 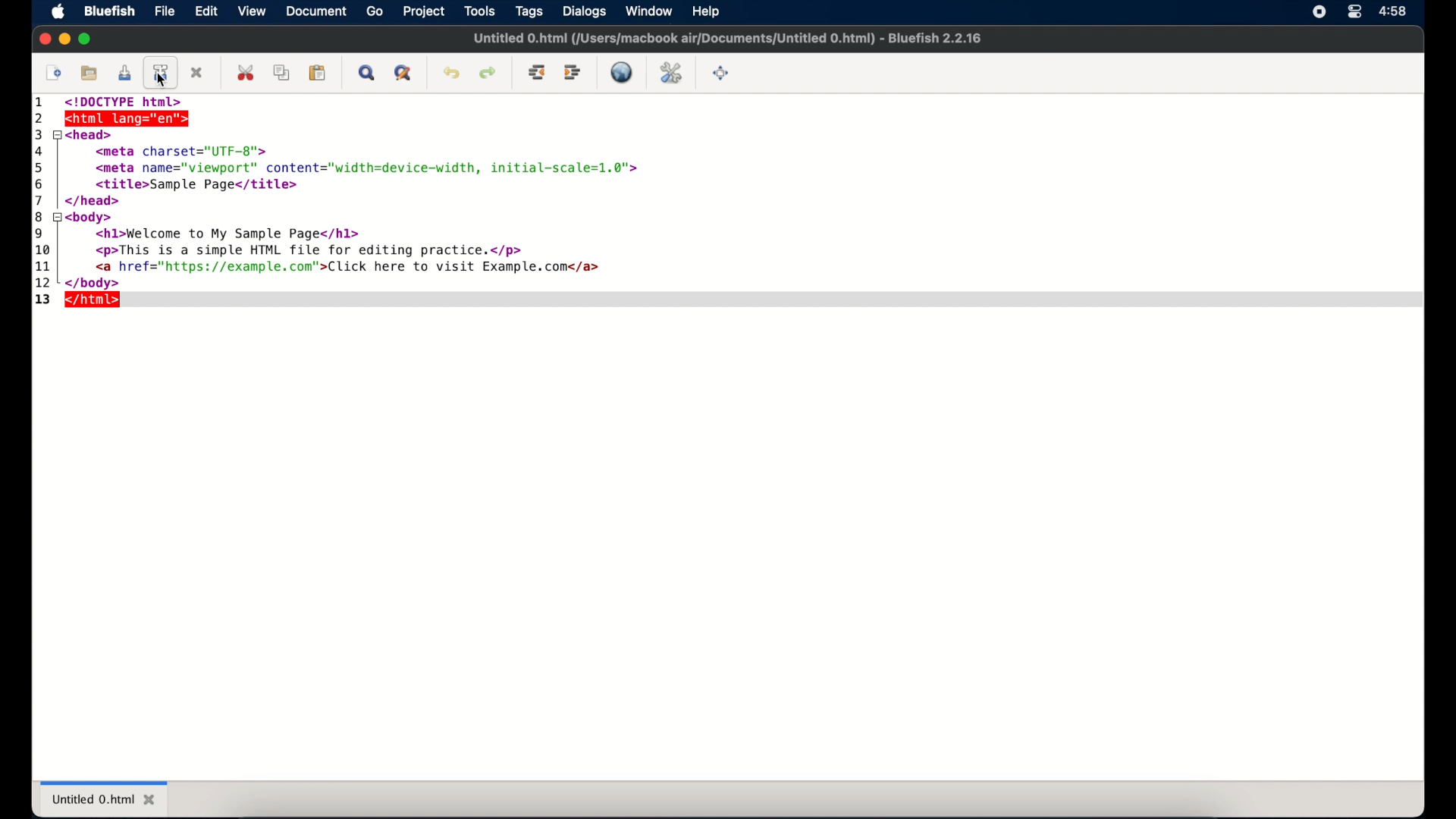 I want to click on <a href="https://example.com”>Click here to visit Example.com</a>, so click(x=344, y=268).